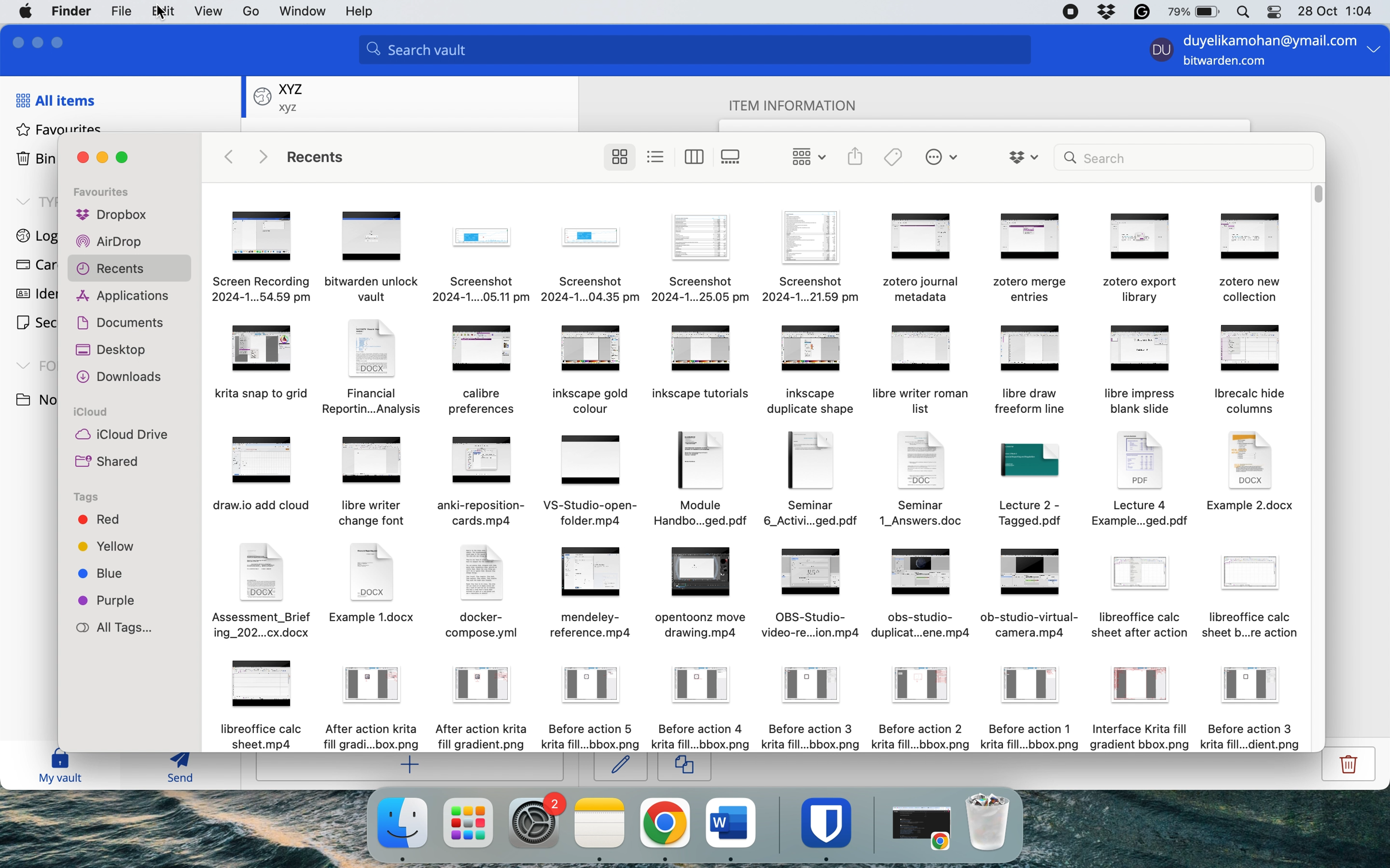  Describe the element at coordinates (107, 549) in the screenshot. I see `yellow tag` at that location.